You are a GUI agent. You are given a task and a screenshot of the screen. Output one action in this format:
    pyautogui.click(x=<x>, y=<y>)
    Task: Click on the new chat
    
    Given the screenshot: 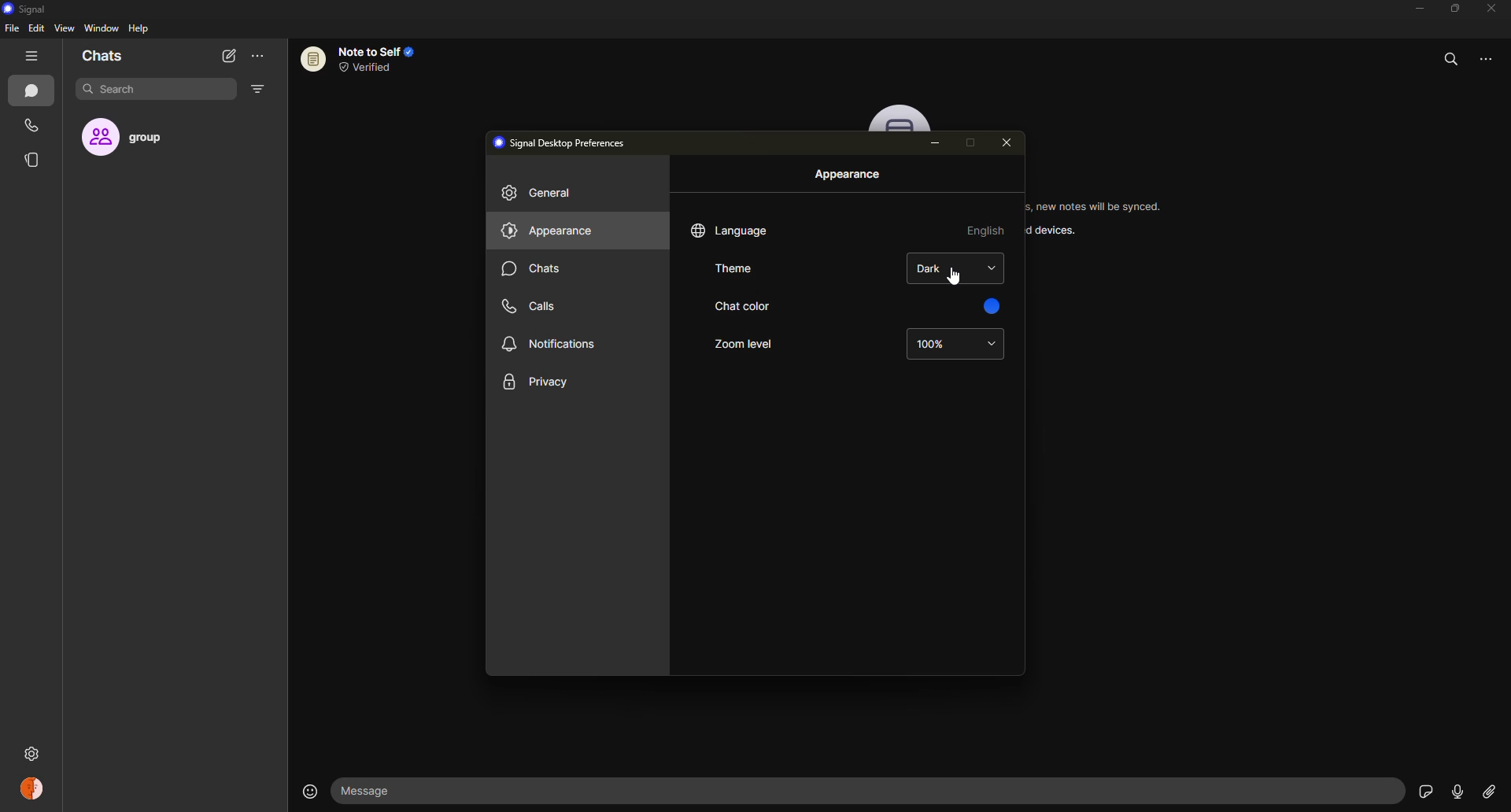 What is the action you would take?
    pyautogui.click(x=228, y=55)
    